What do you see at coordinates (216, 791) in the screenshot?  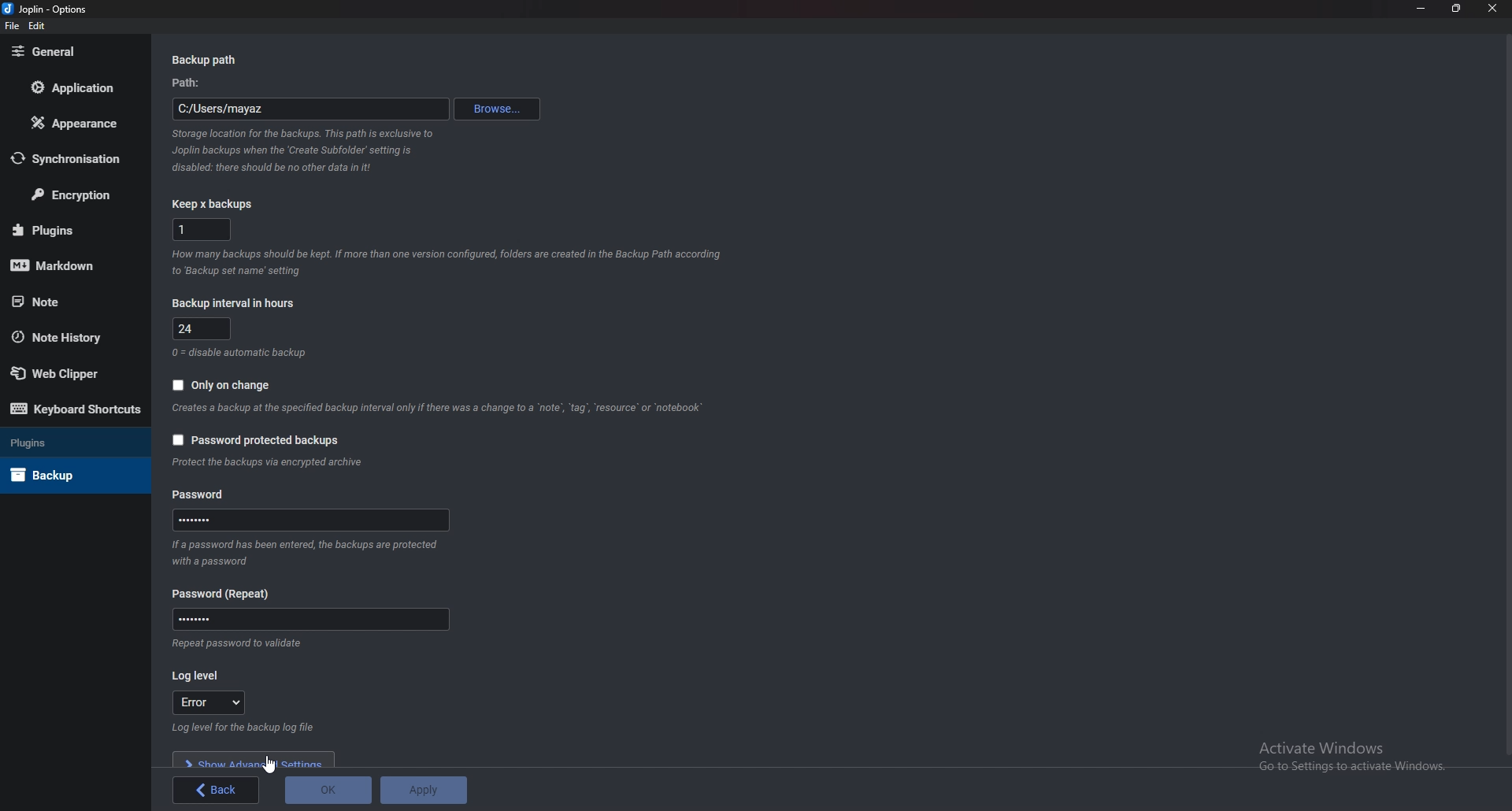 I see `back` at bounding box center [216, 791].